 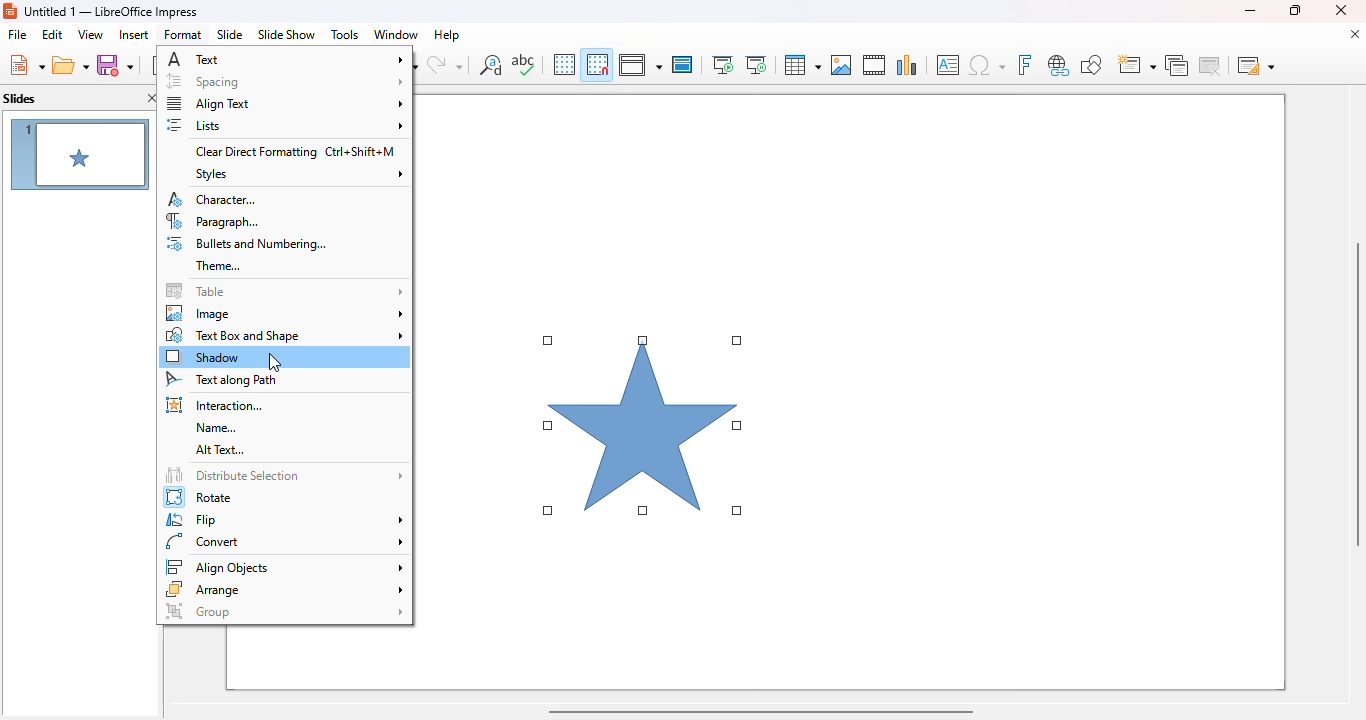 What do you see at coordinates (26, 65) in the screenshot?
I see `new` at bounding box center [26, 65].